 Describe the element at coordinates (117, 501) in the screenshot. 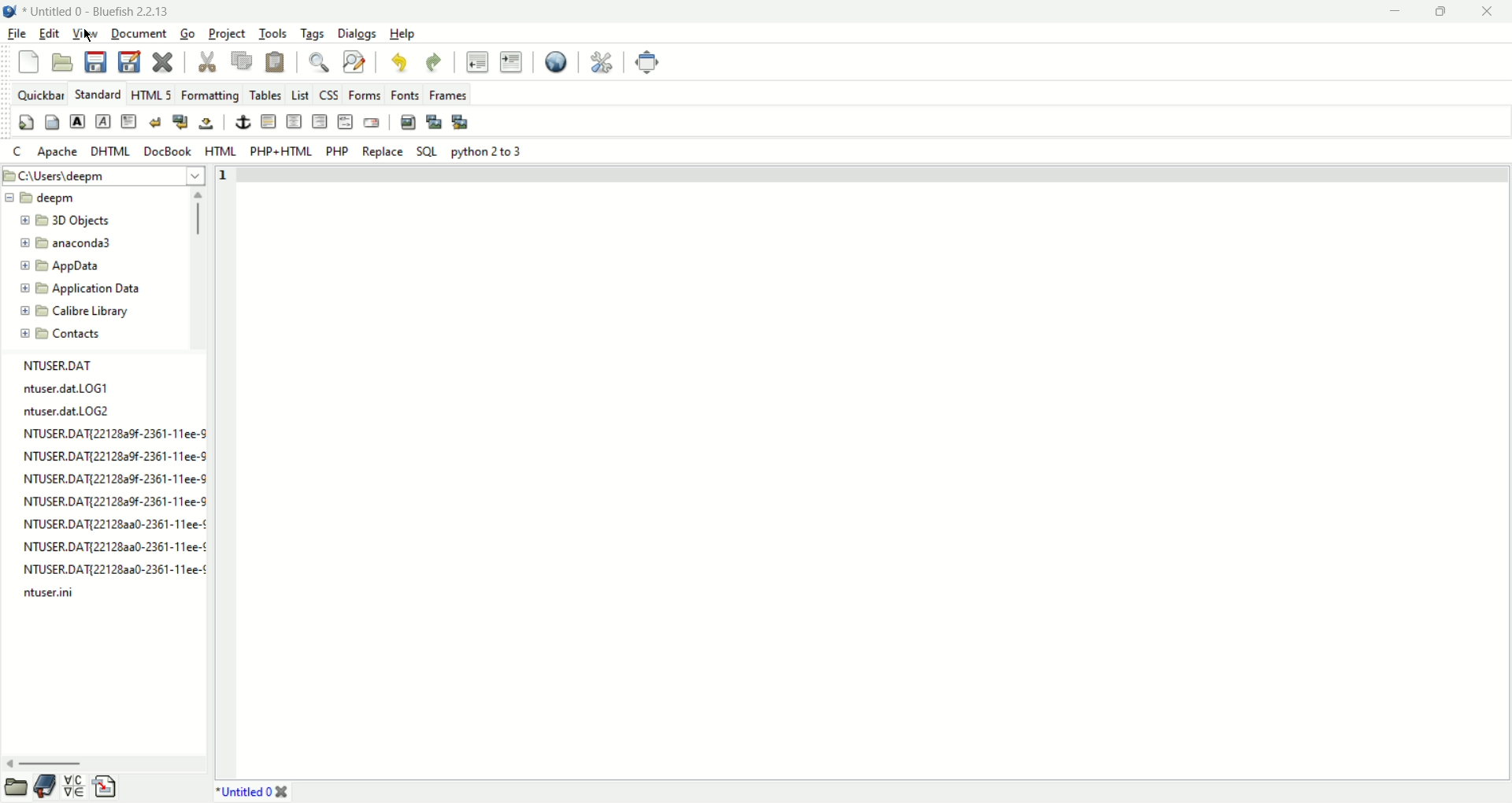

I see `NTUSER.DAT{22128a9f-2361-11ee-S` at that location.